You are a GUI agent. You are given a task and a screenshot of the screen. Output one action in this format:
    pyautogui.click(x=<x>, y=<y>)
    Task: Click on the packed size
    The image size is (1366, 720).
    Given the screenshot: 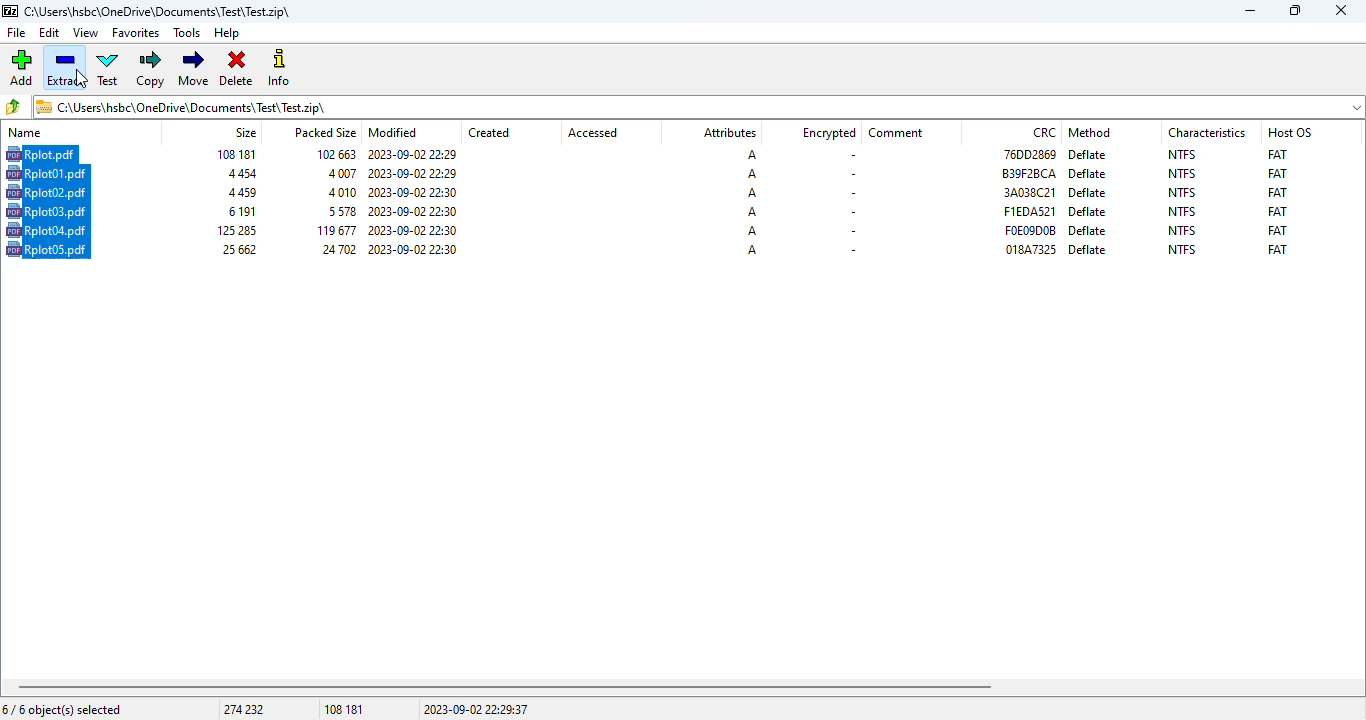 What is the action you would take?
    pyautogui.click(x=333, y=230)
    